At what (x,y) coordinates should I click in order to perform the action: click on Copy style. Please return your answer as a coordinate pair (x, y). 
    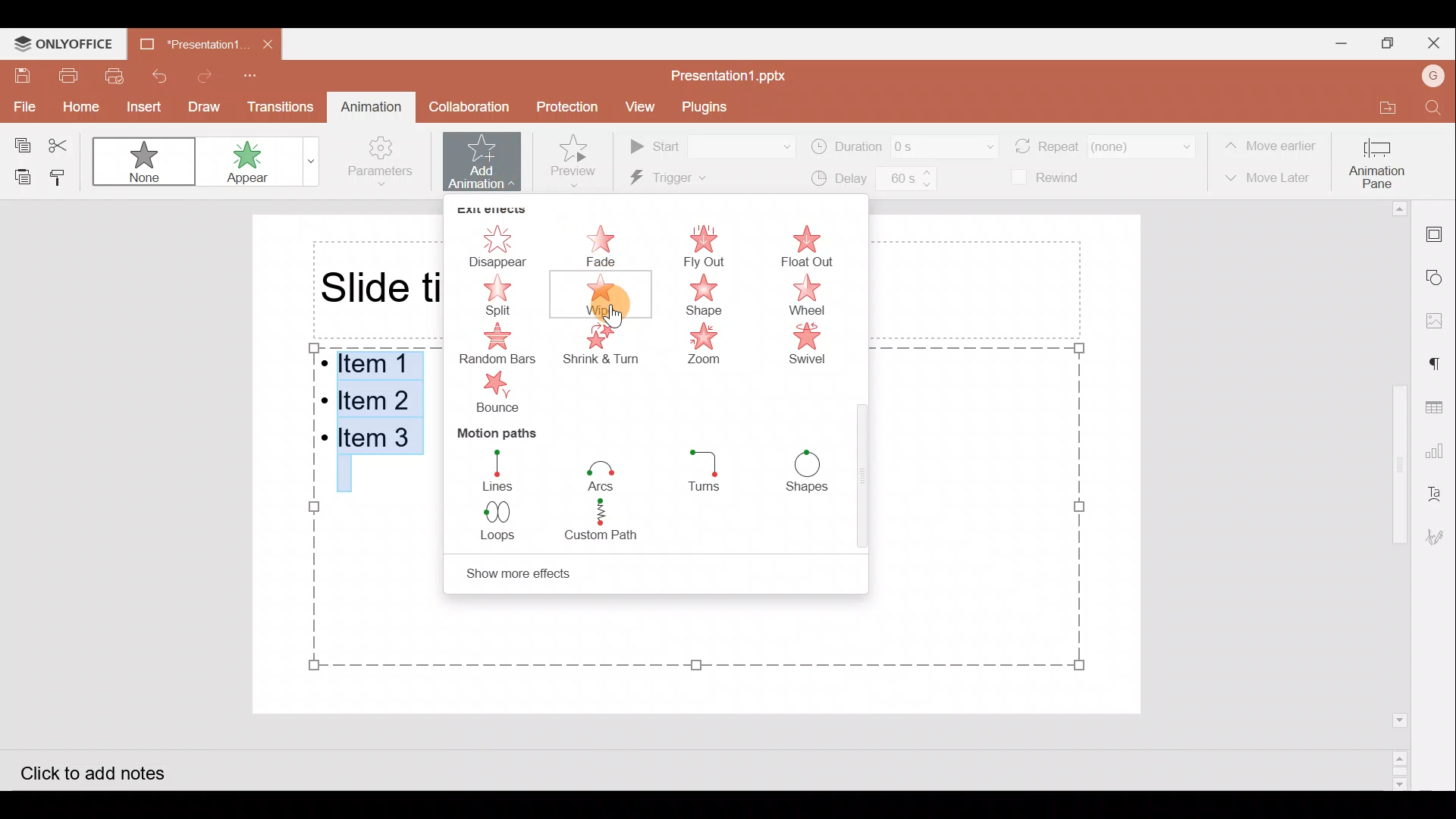
    Looking at the image, I should click on (62, 175).